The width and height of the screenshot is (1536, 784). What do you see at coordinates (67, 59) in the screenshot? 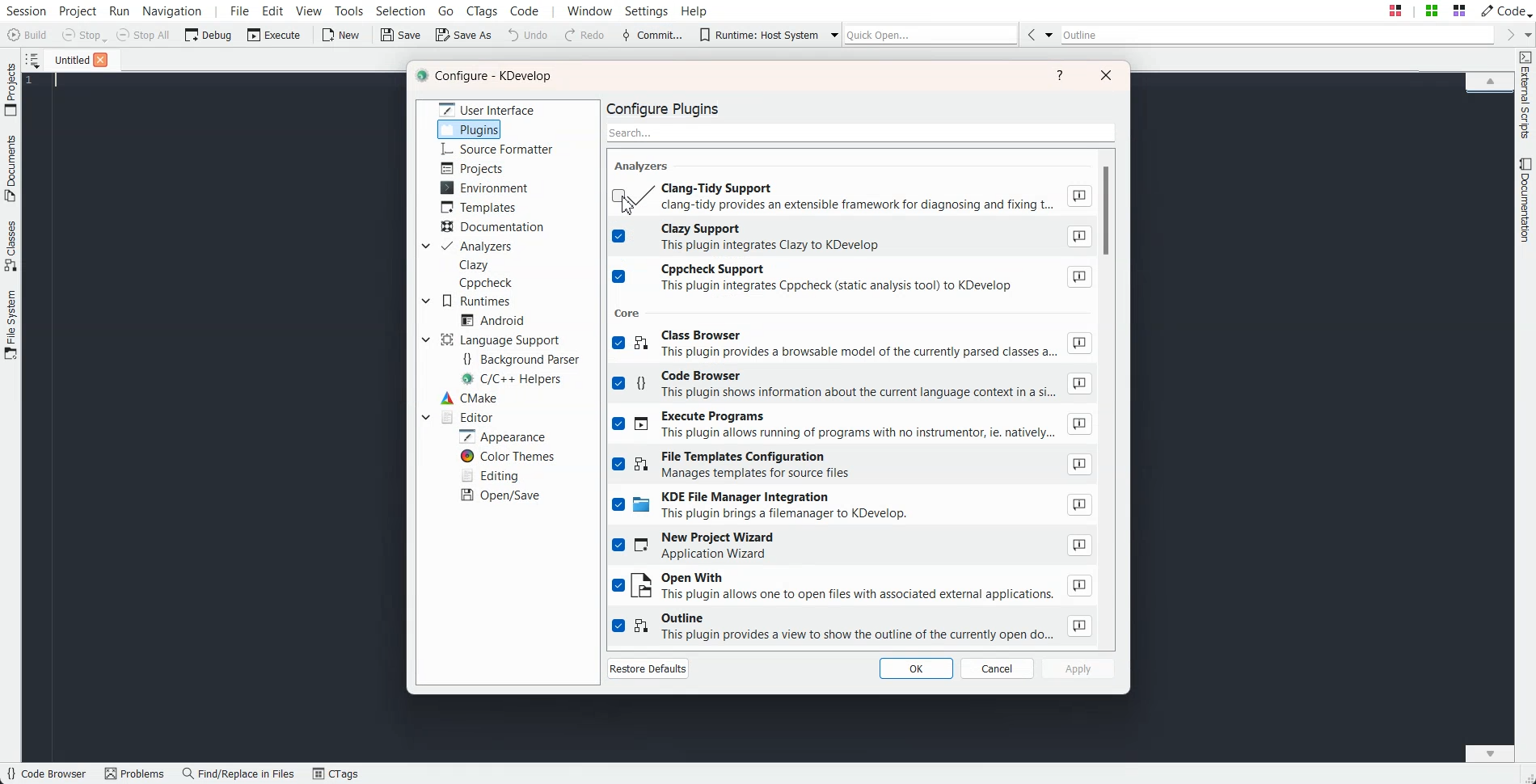
I see `File` at bounding box center [67, 59].